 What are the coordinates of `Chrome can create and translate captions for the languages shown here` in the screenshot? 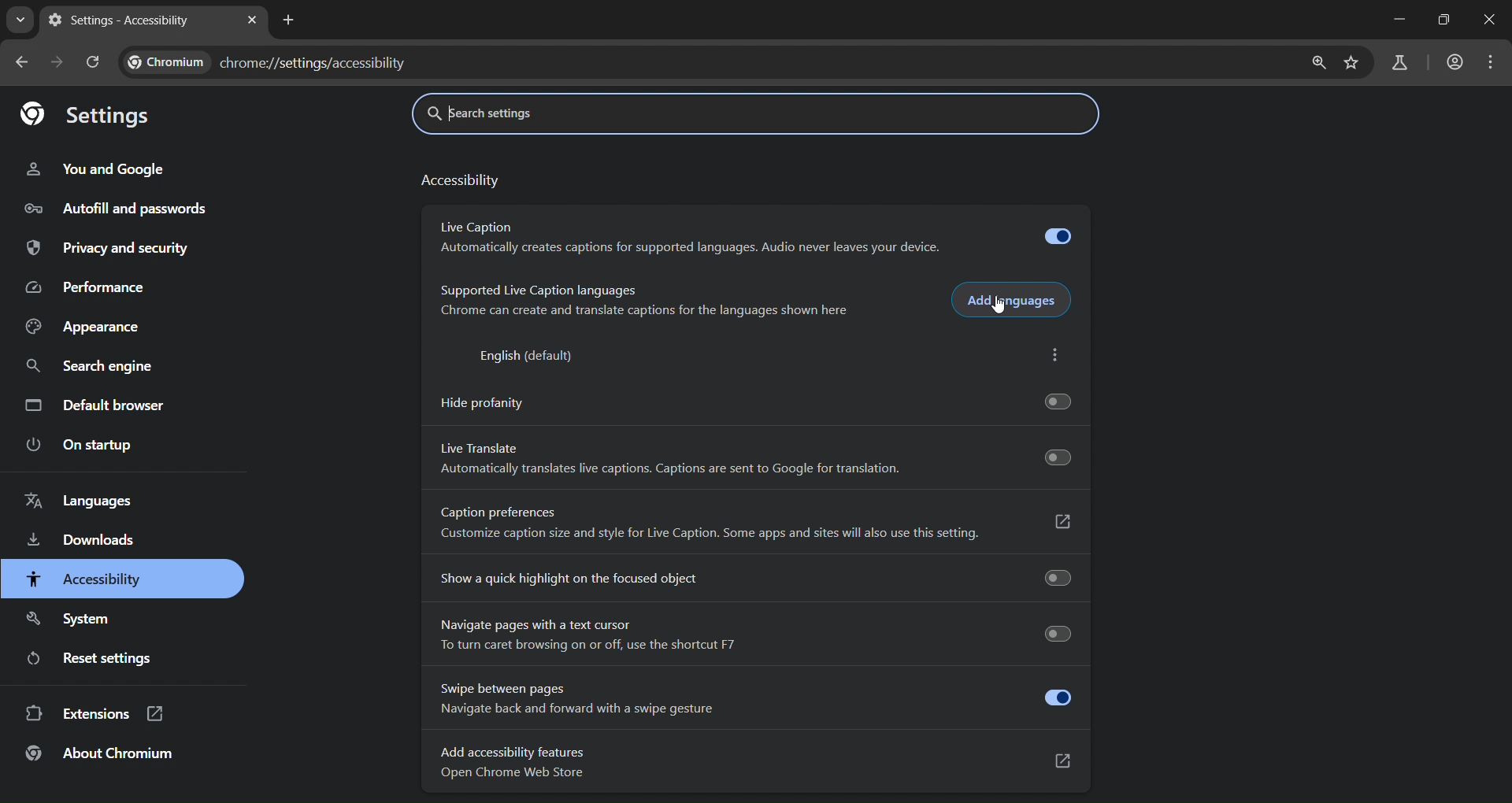 It's located at (647, 313).